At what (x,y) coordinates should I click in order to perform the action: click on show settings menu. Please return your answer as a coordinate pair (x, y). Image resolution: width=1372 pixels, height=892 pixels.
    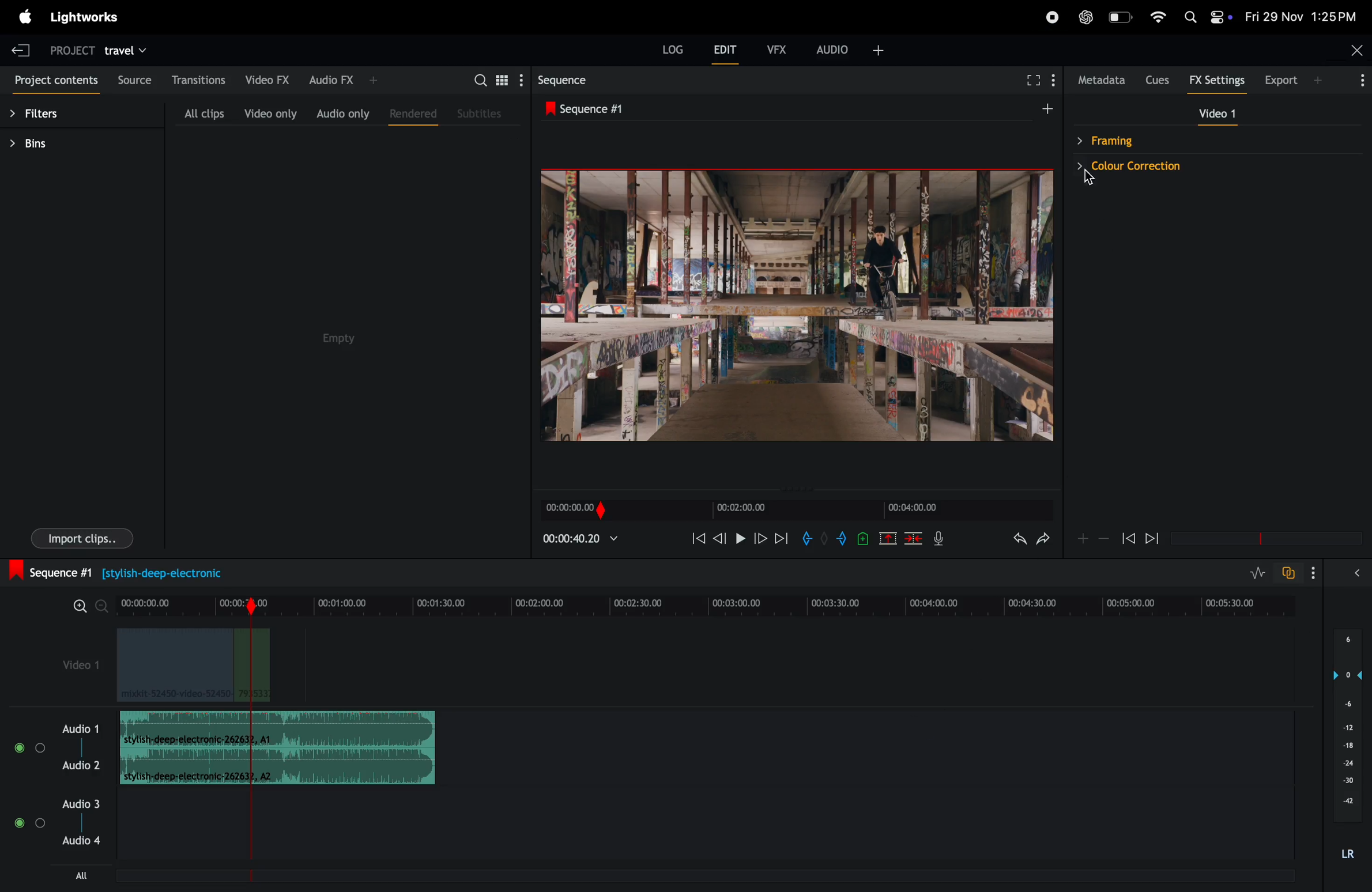
    Looking at the image, I should click on (525, 79).